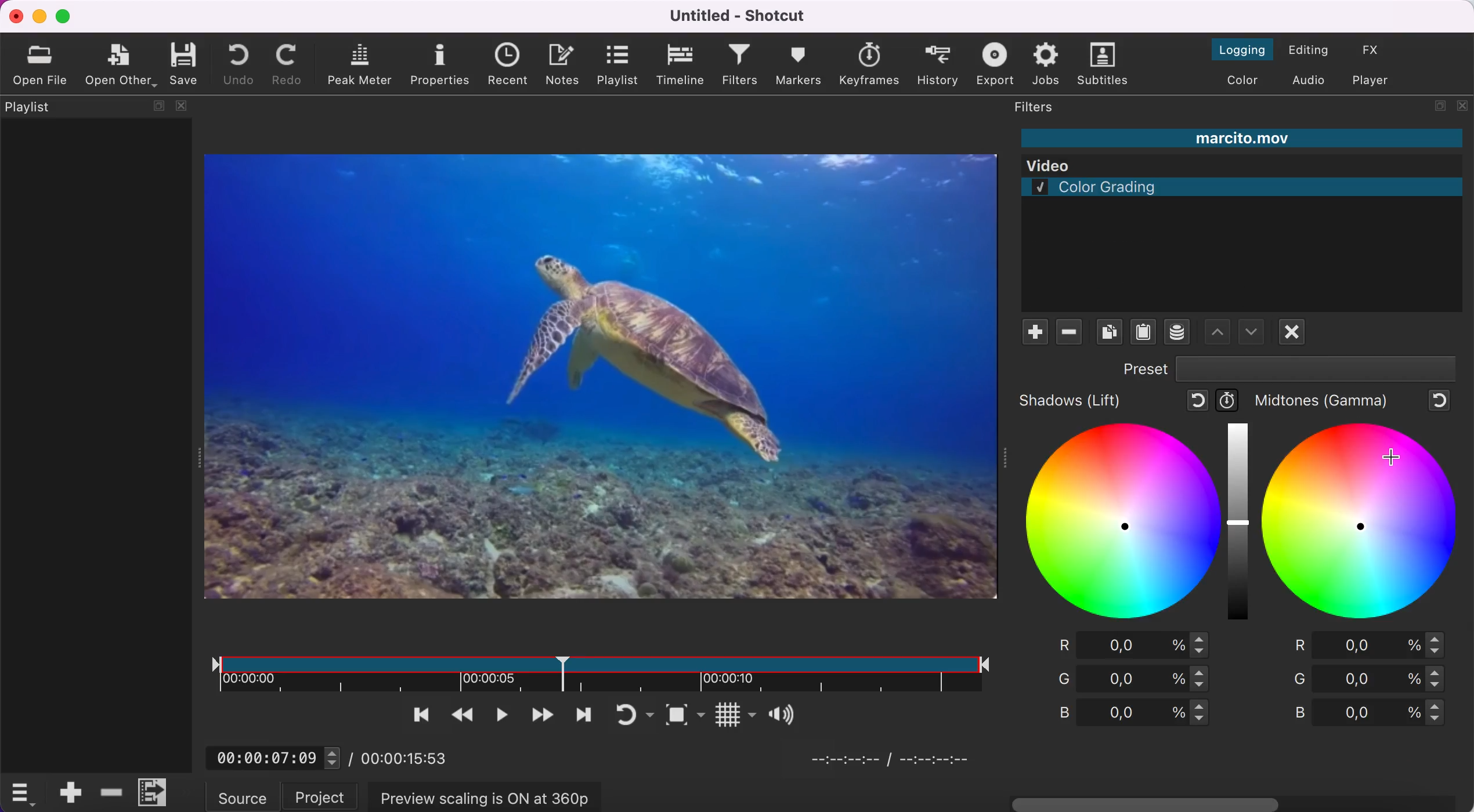  Describe the element at coordinates (1463, 109) in the screenshot. I see `close` at that location.